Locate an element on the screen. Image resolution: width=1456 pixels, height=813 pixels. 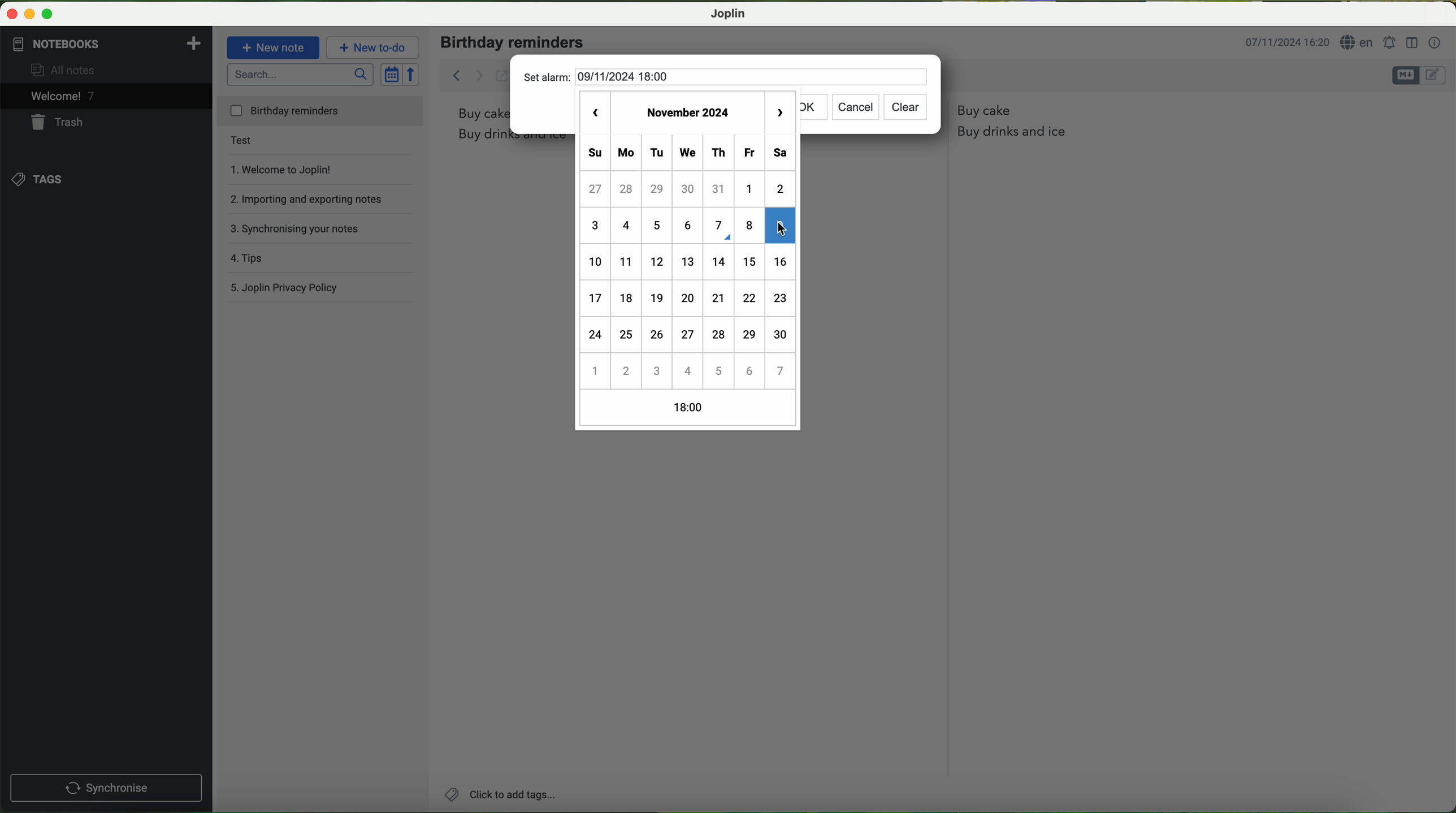
Joplin is located at coordinates (728, 15).